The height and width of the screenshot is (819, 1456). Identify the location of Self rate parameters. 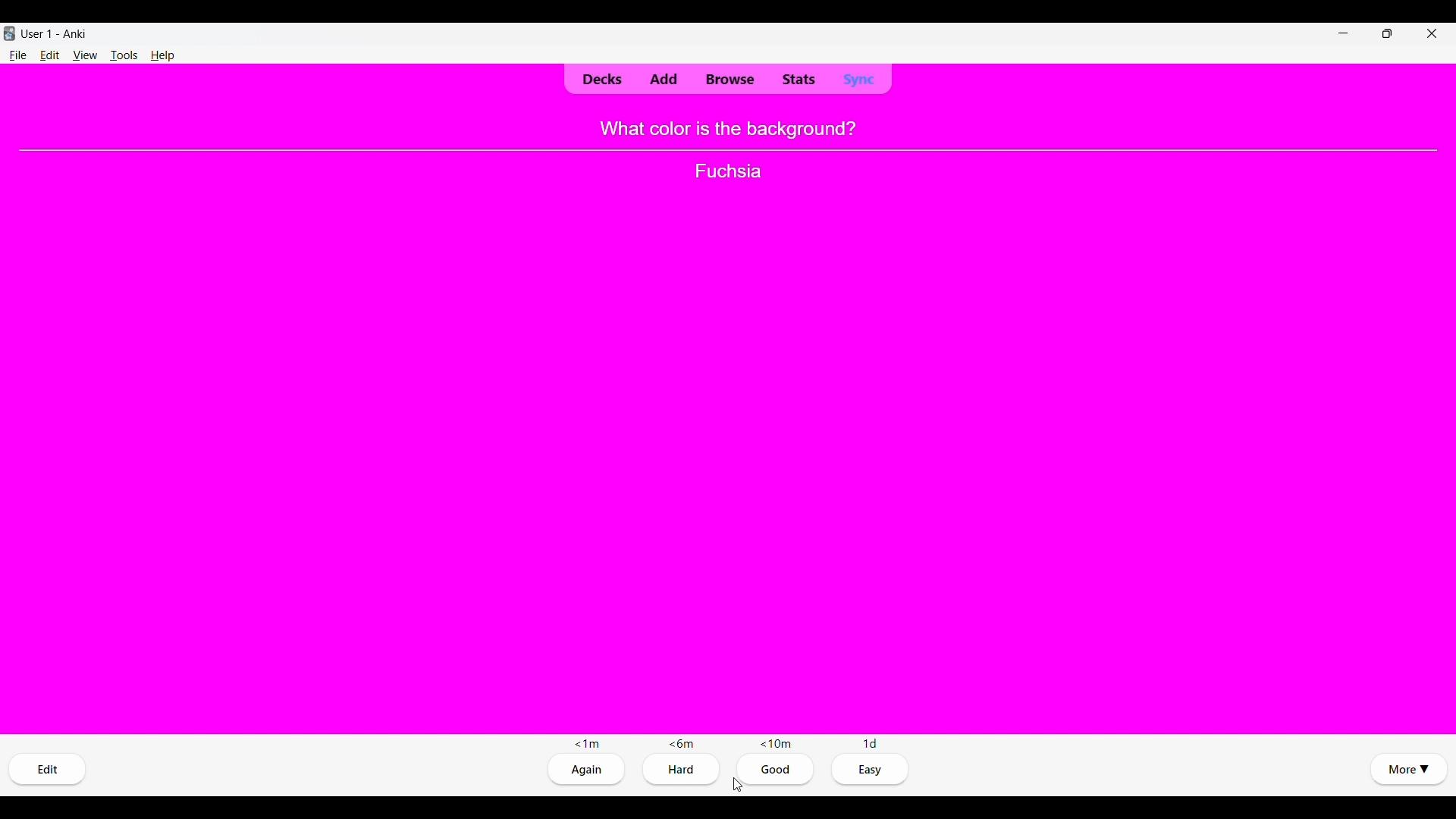
(726, 743).